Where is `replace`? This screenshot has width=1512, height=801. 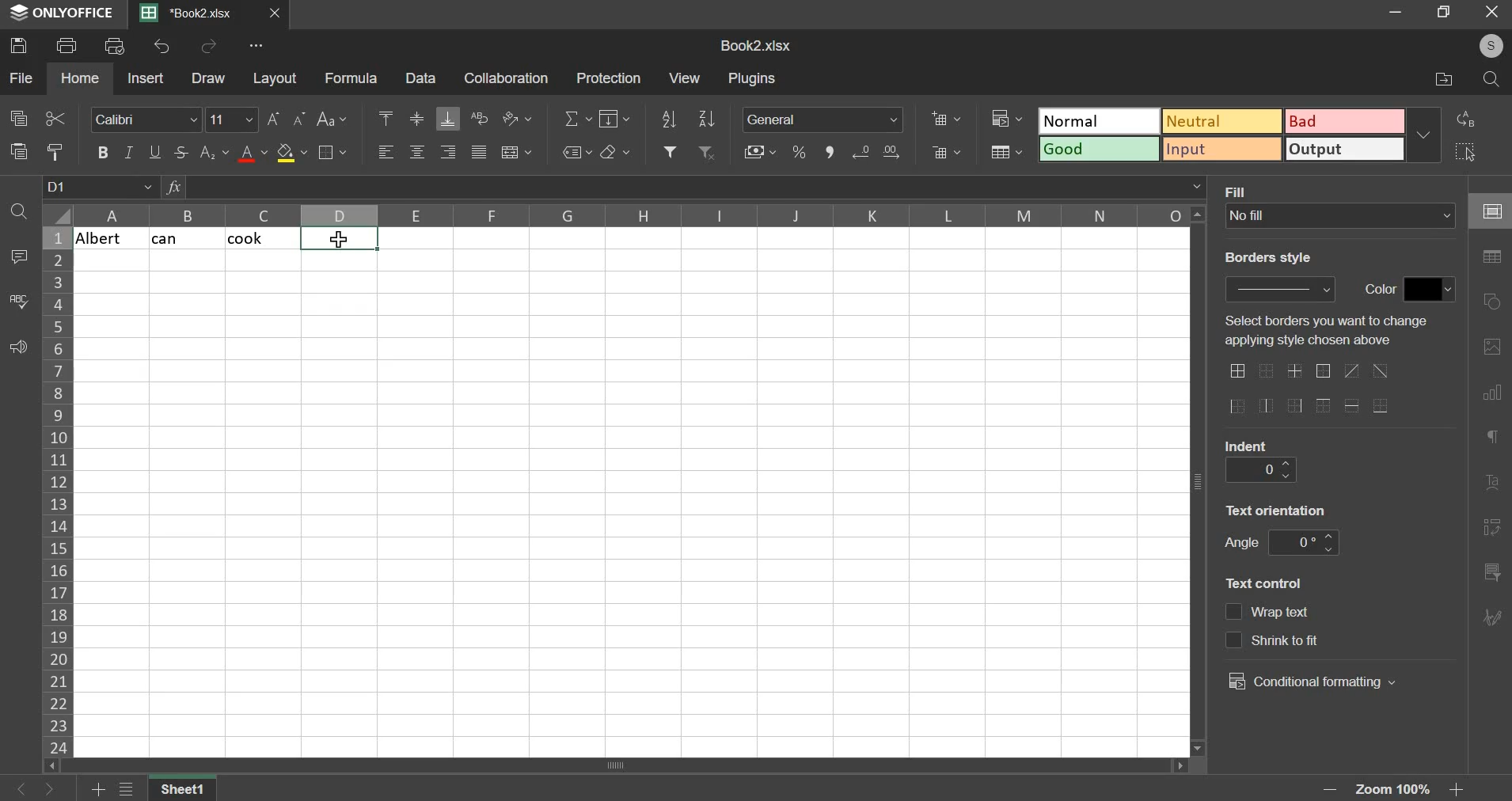
replace is located at coordinates (1471, 119).